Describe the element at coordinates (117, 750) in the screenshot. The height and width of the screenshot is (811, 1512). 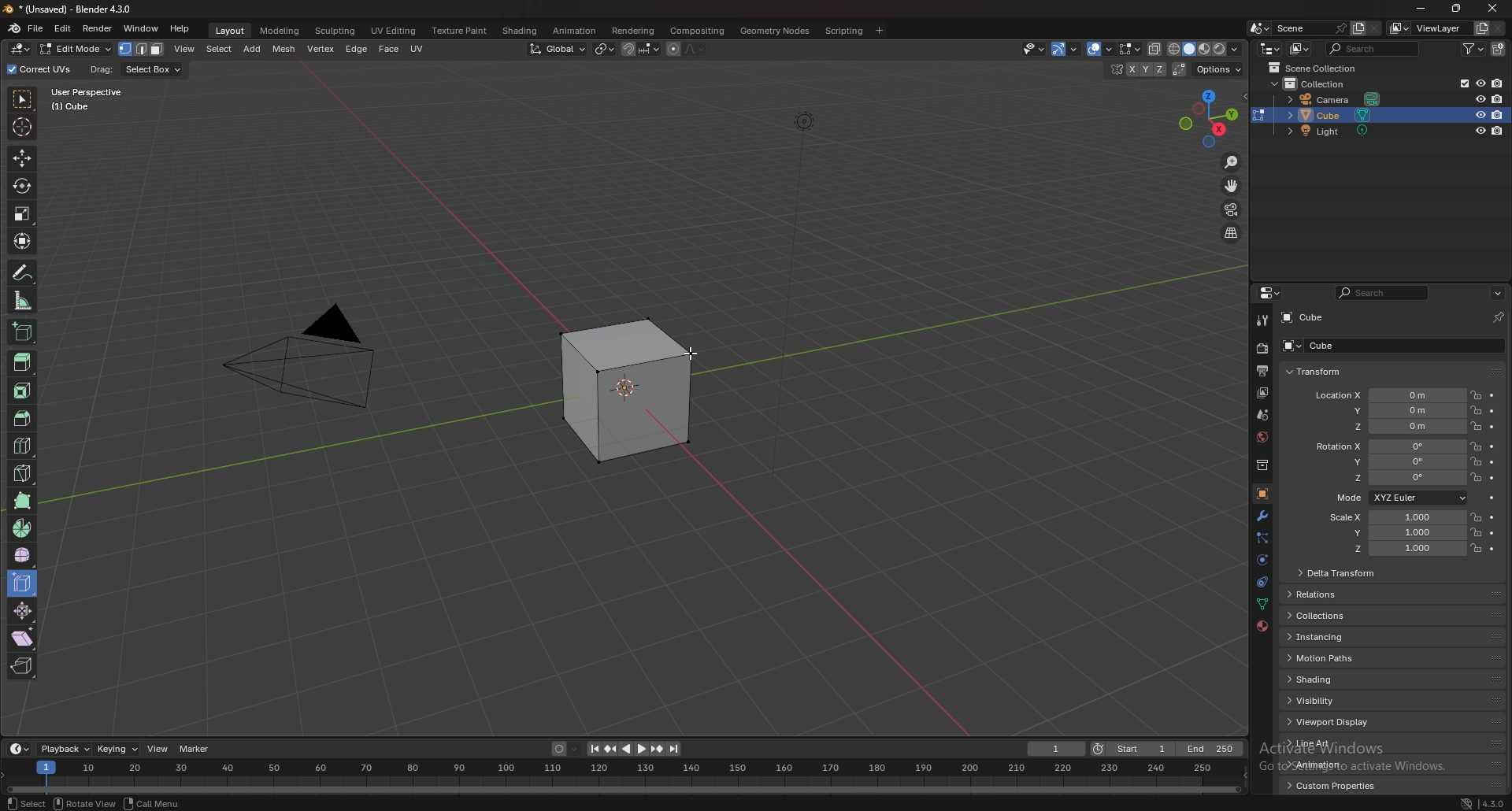
I see `keying` at that location.